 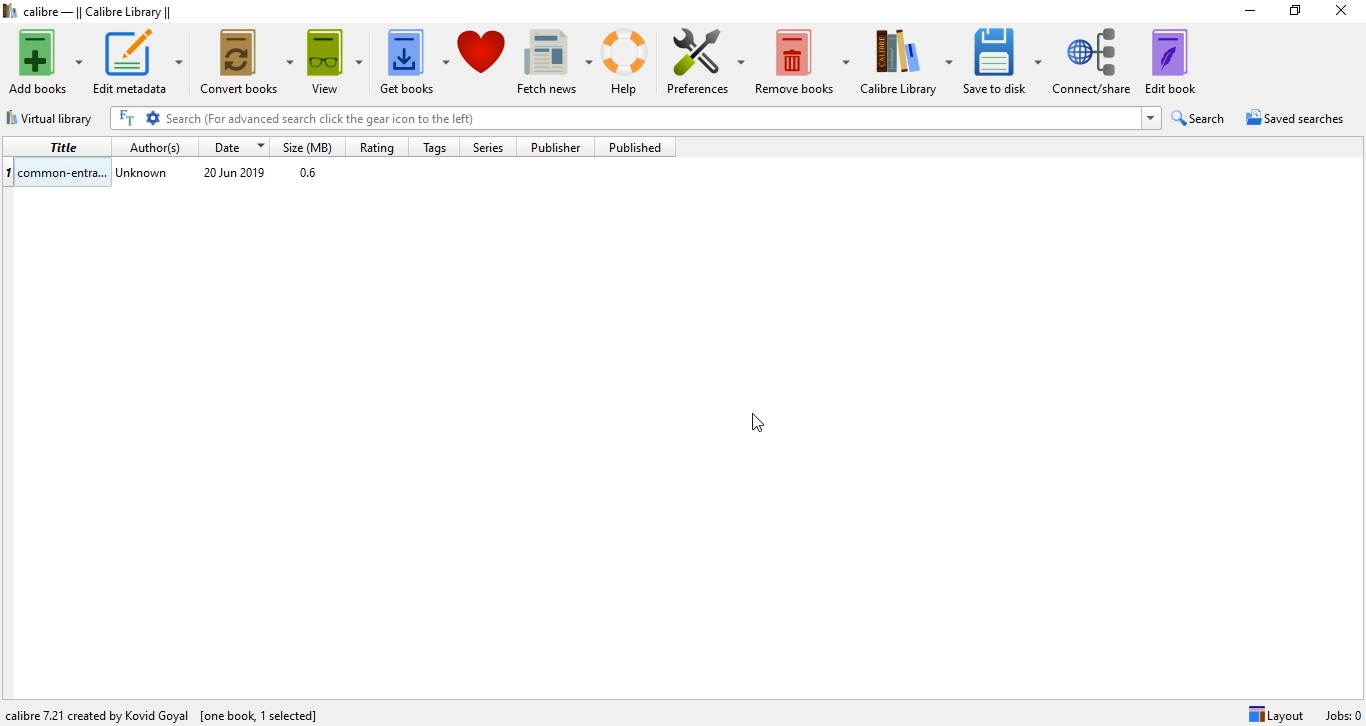 What do you see at coordinates (311, 145) in the screenshot?
I see `Size (MB)` at bounding box center [311, 145].